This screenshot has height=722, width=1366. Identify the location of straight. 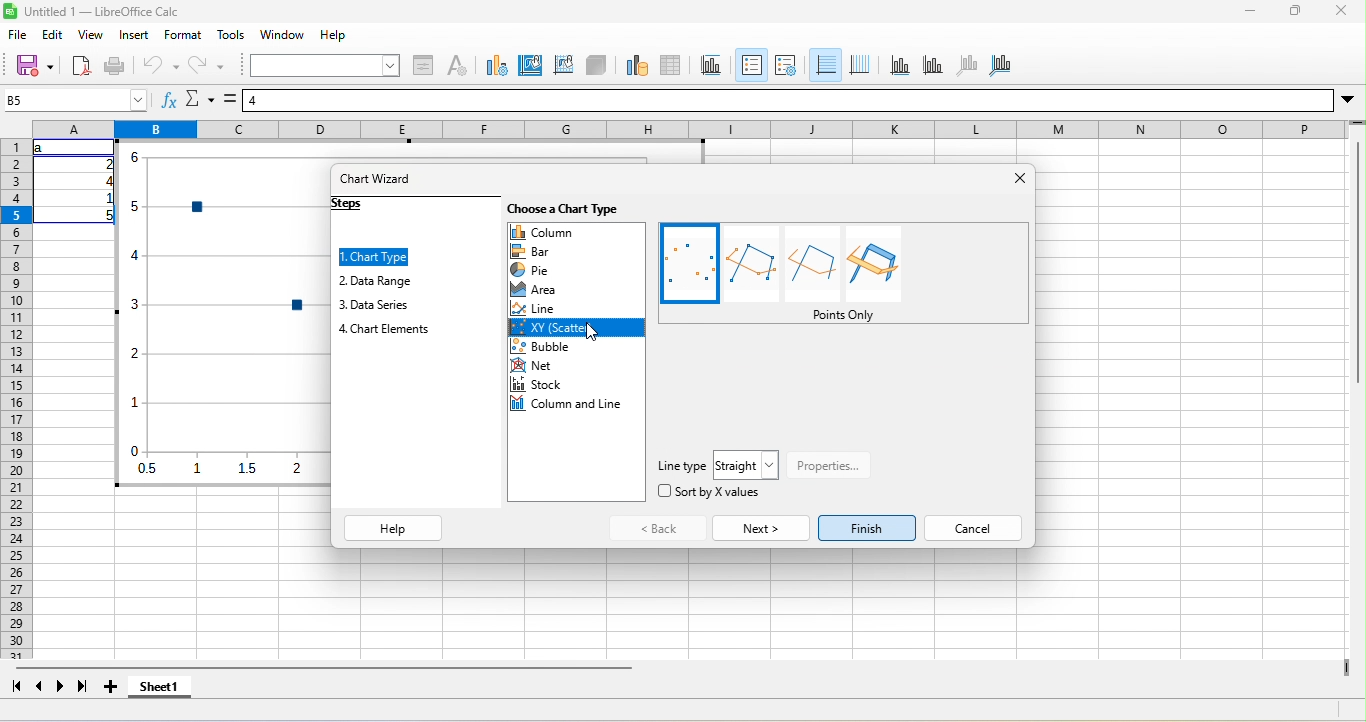
(746, 465).